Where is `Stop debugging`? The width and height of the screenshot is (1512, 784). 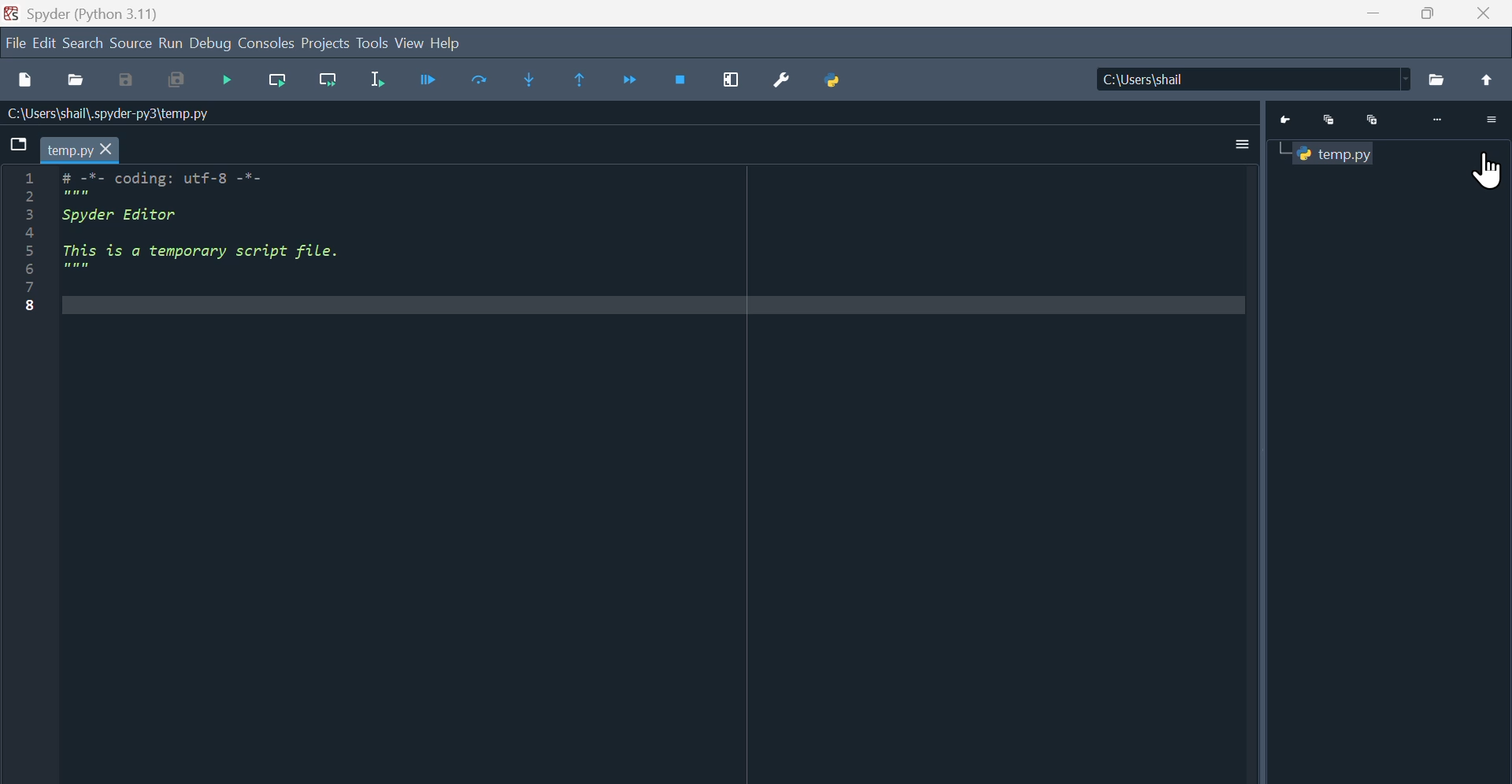
Stop debugging is located at coordinates (681, 83).